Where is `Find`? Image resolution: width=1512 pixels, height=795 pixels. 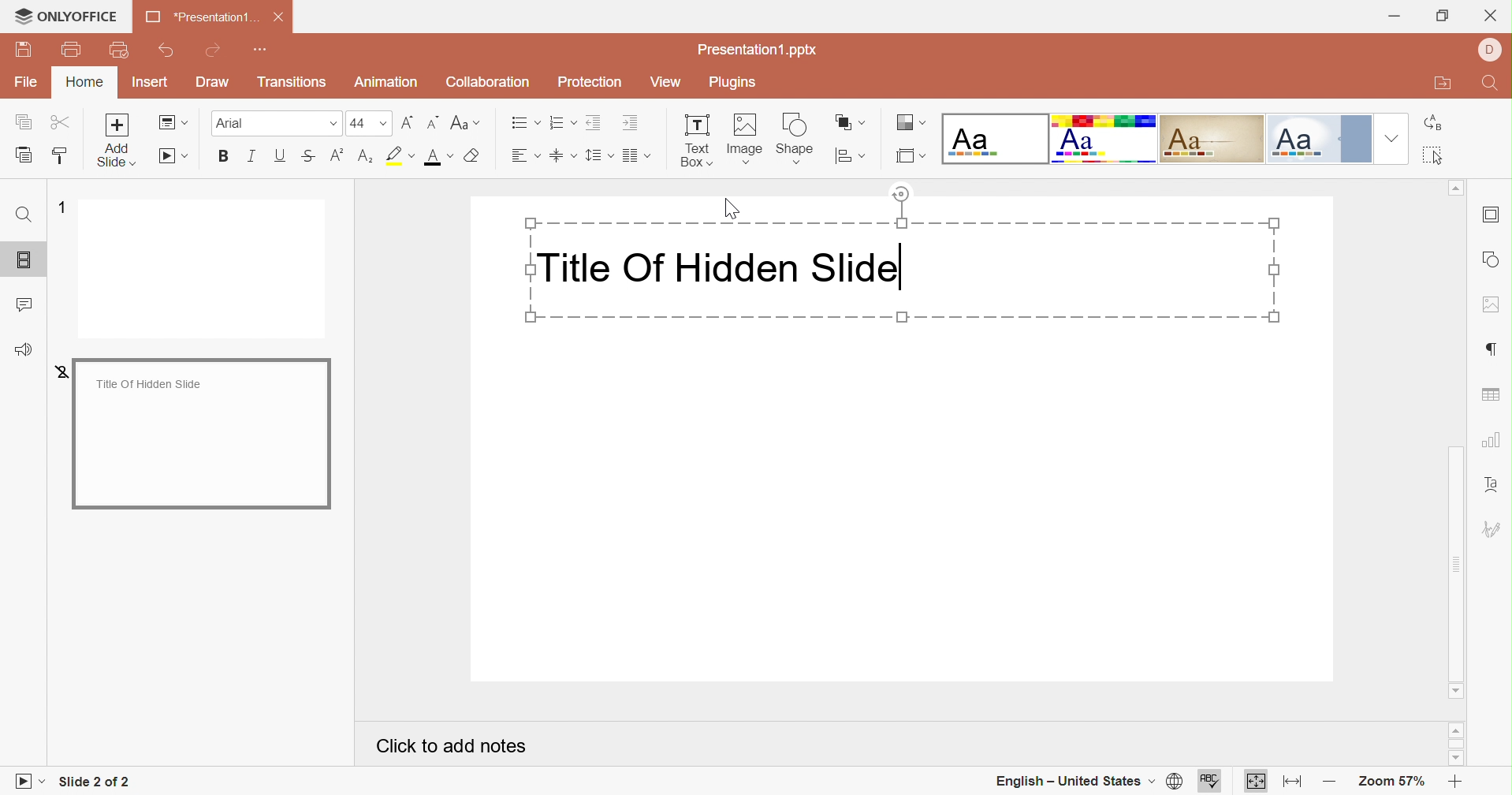
Find is located at coordinates (24, 214).